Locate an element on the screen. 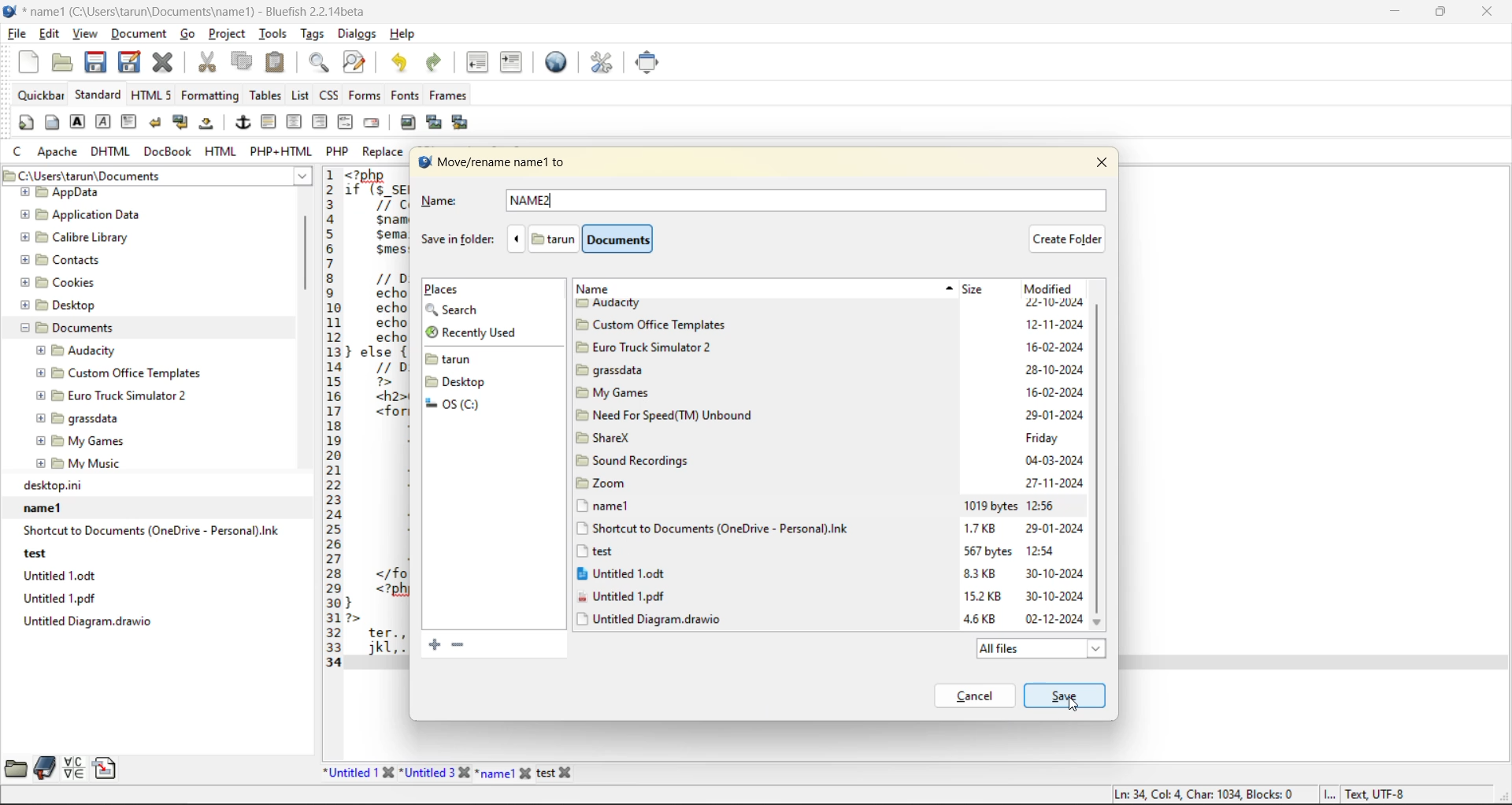 The image size is (1512, 805). tags is located at coordinates (313, 33).